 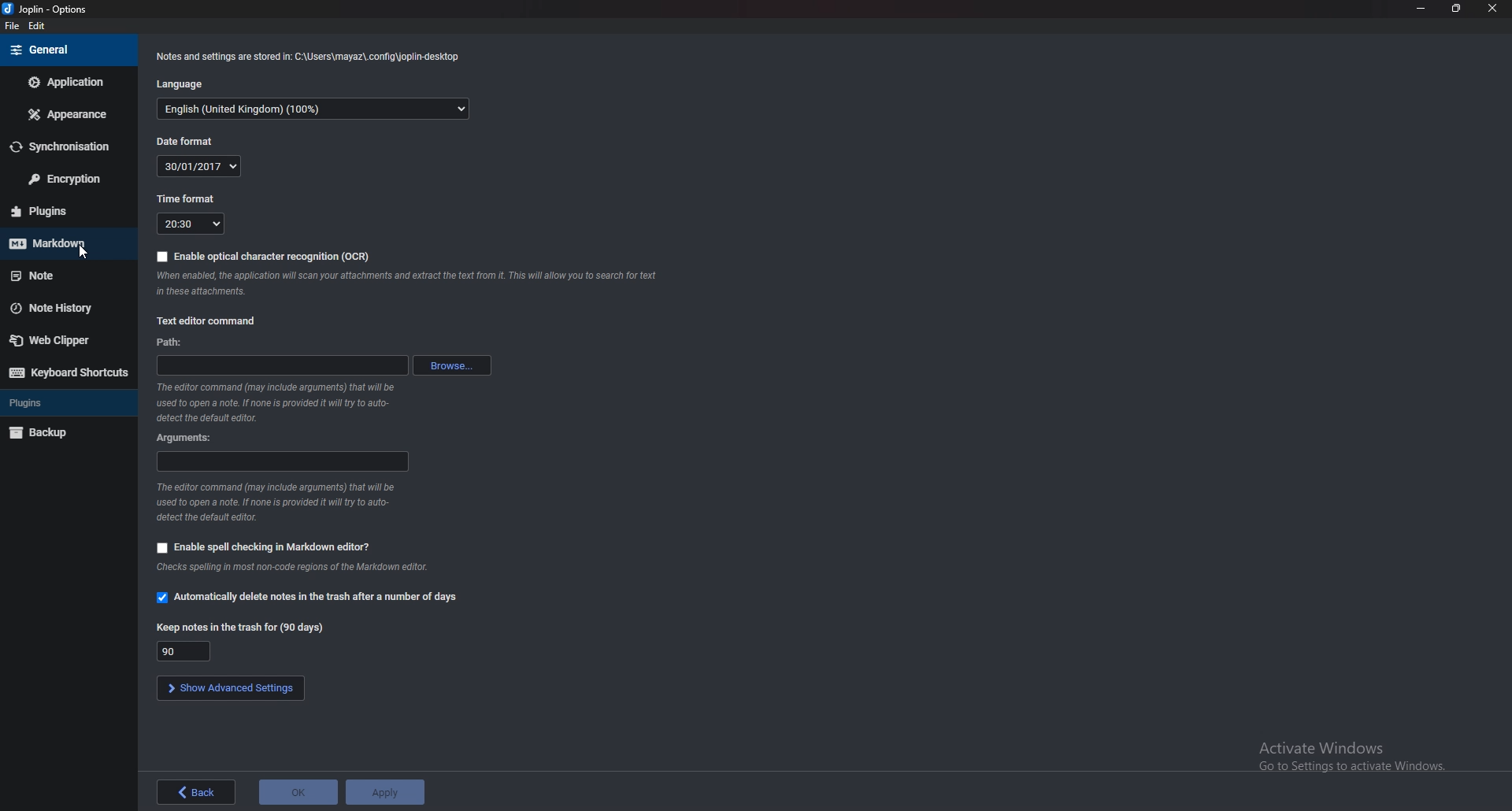 What do you see at coordinates (66, 53) in the screenshot?
I see `general` at bounding box center [66, 53].